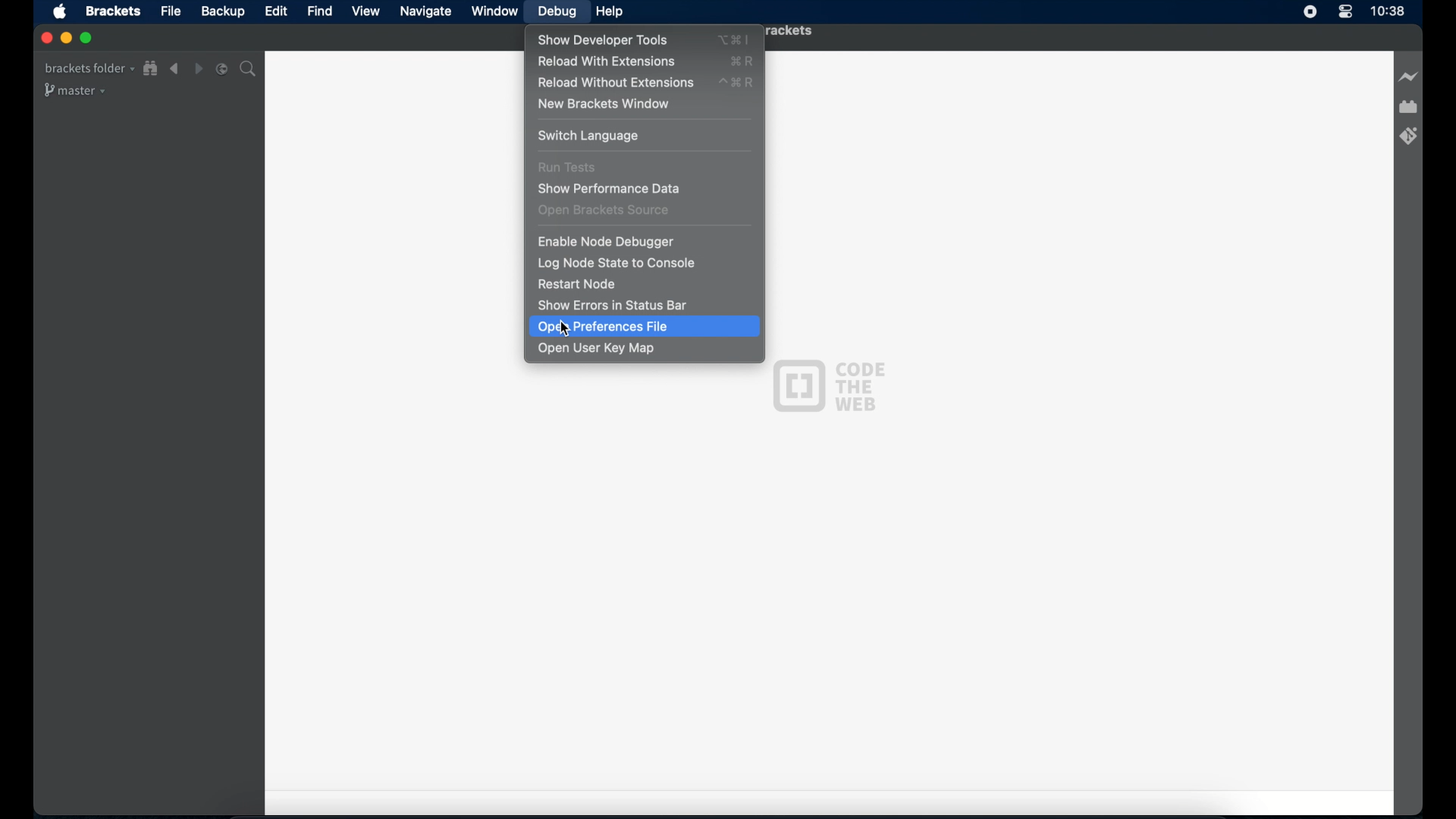  What do you see at coordinates (568, 168) in the screenshot?
I see `run tests` at bounding box center [568, 168].